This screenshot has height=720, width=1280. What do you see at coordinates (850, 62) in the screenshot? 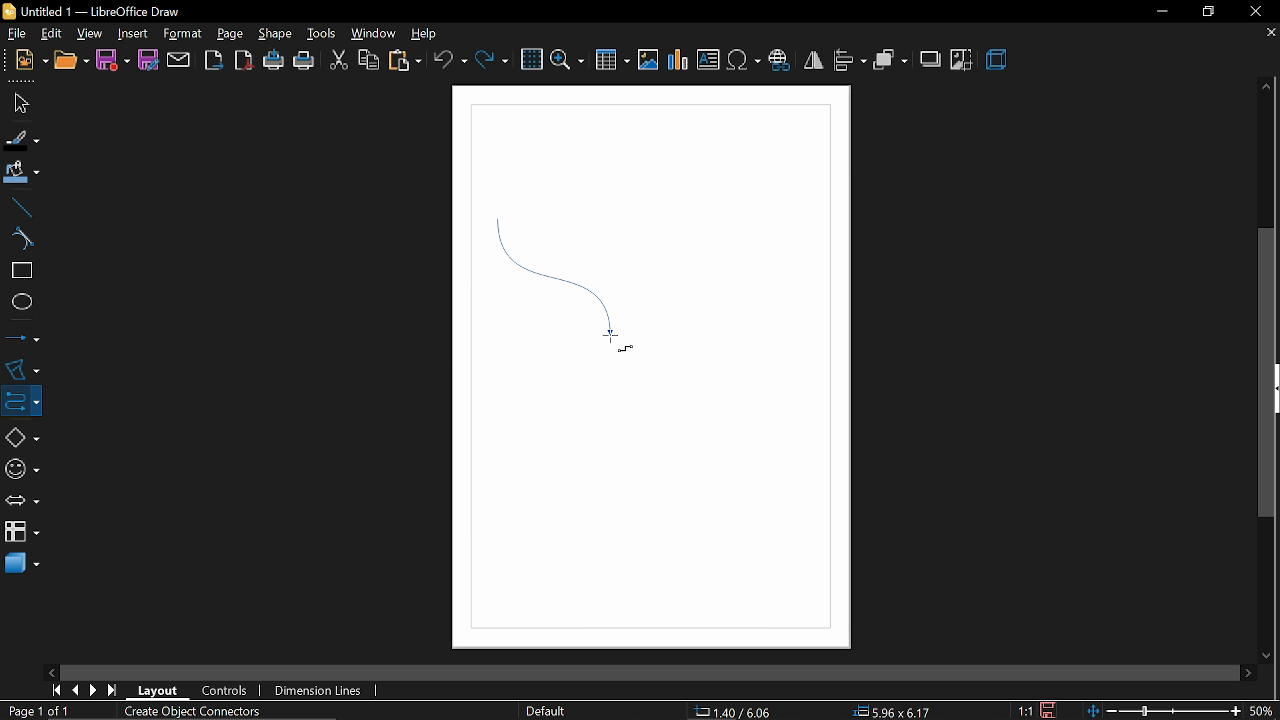
I see `align` at bounding box center [850, 62].